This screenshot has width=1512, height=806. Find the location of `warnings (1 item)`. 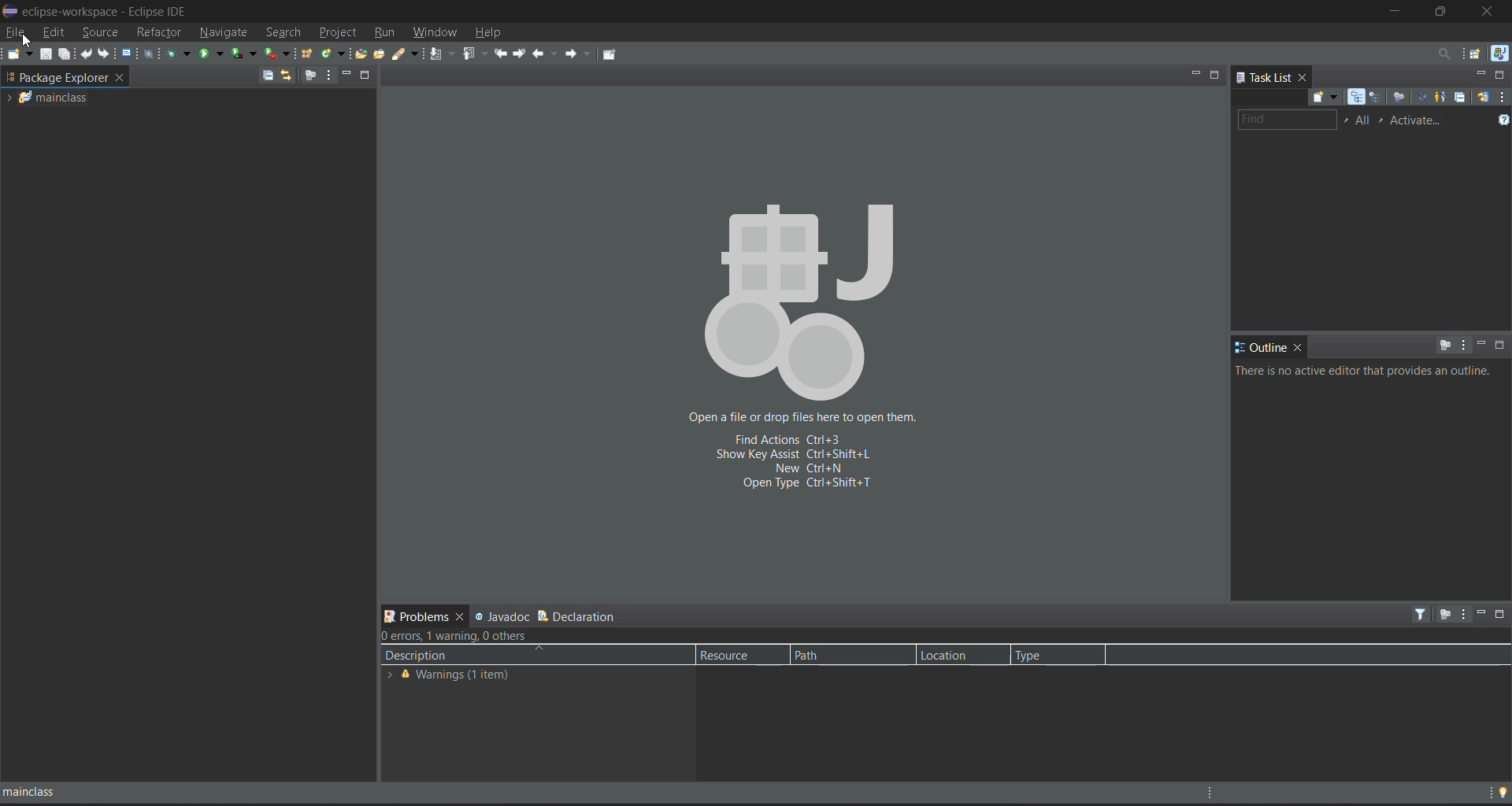

warnings (1 item) is located at coordinates (476, 677).